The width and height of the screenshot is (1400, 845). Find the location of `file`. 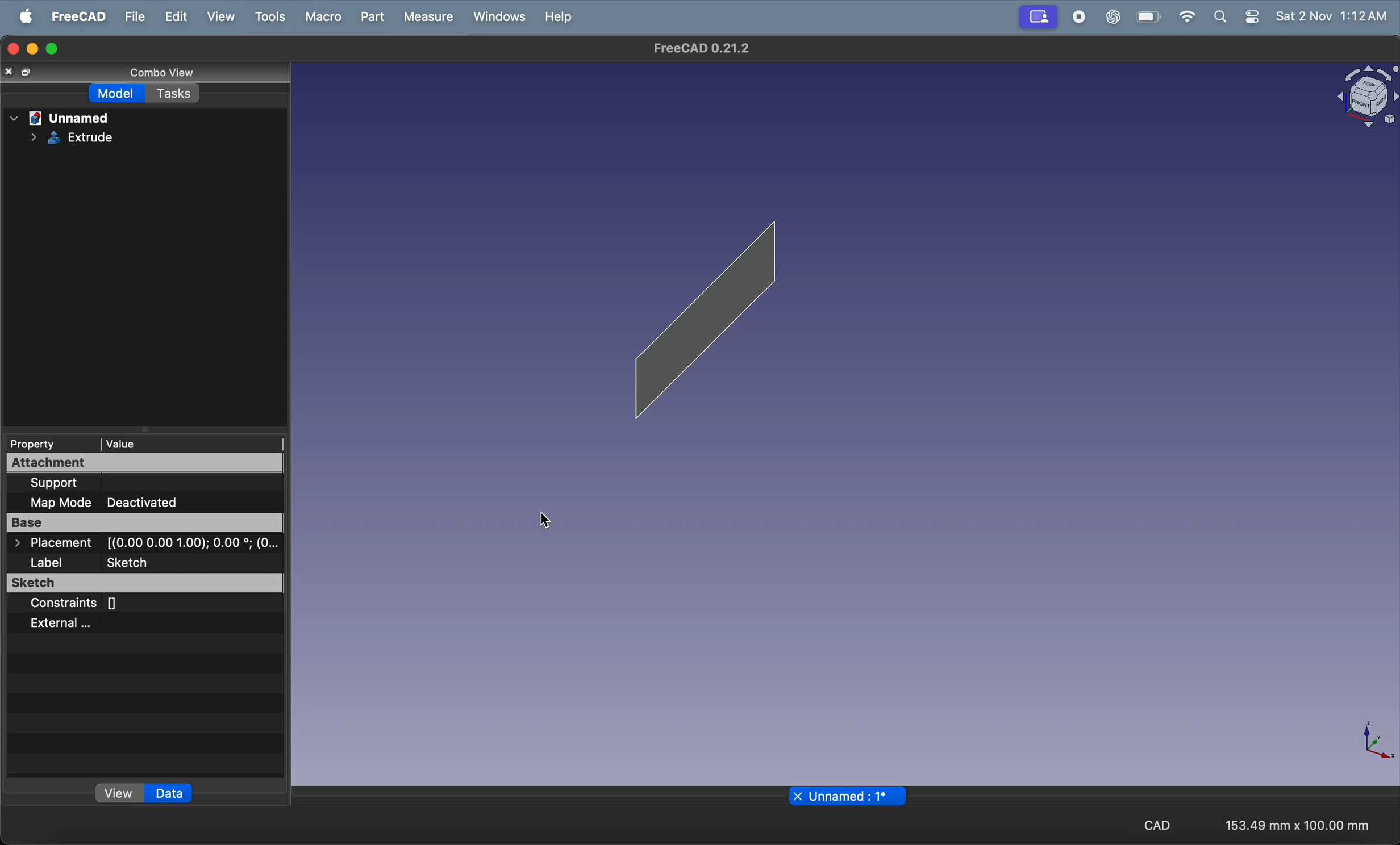

file is located at coordinates (135, 18).